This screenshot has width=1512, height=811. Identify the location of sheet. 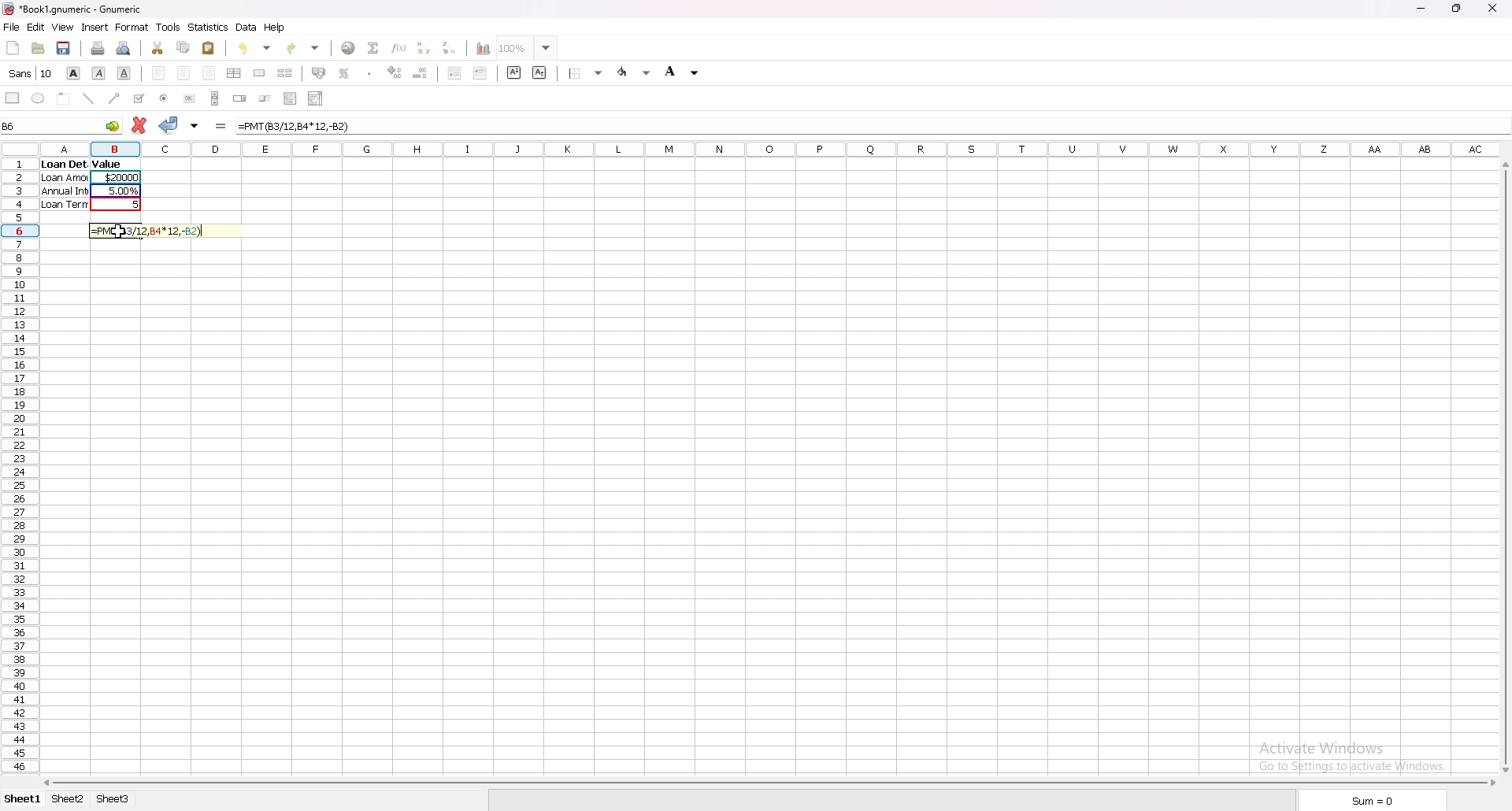
(25, 799).